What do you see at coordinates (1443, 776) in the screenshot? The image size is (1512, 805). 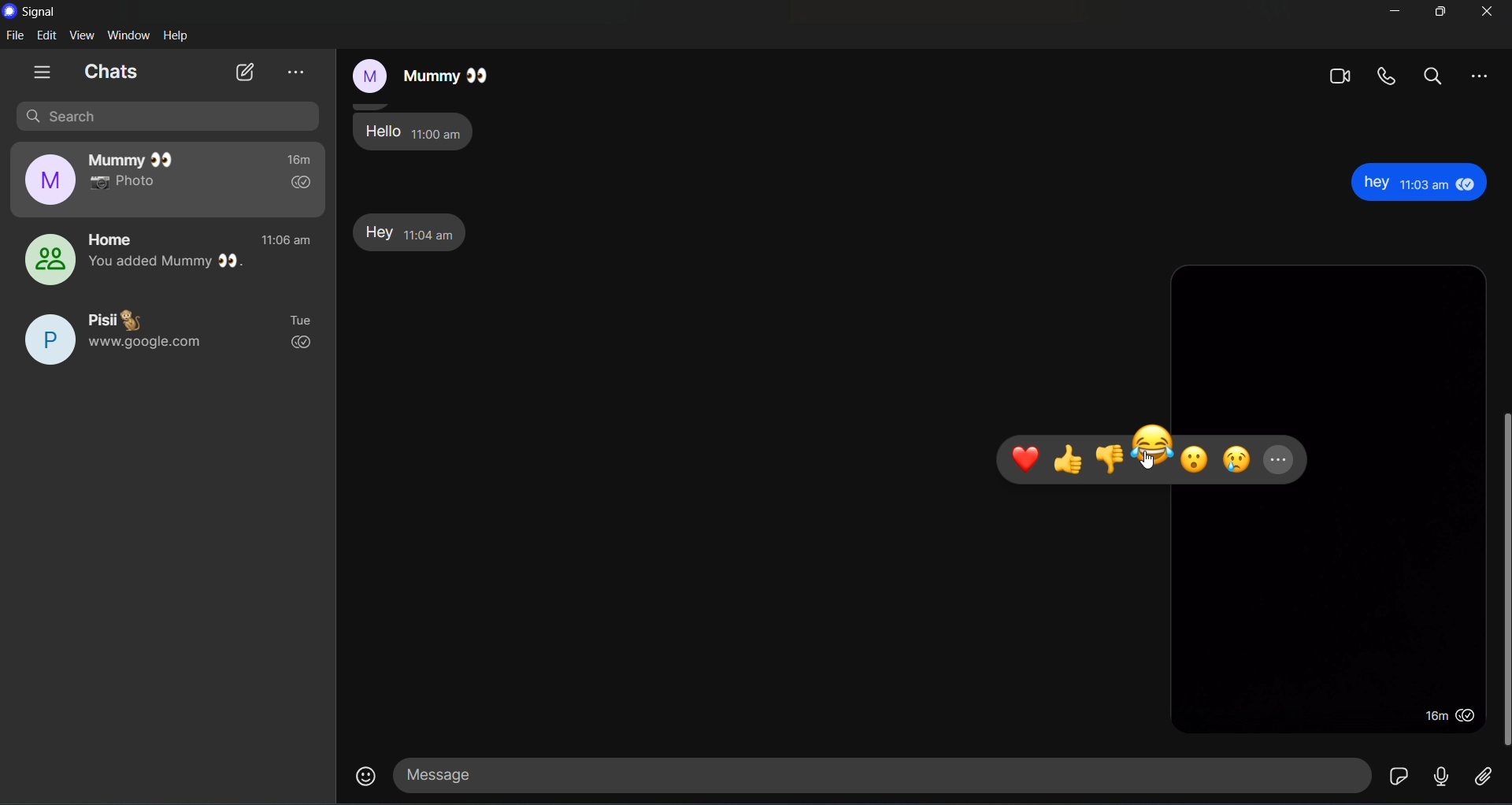 I see `voice message` at bounding box center [1443, 776].